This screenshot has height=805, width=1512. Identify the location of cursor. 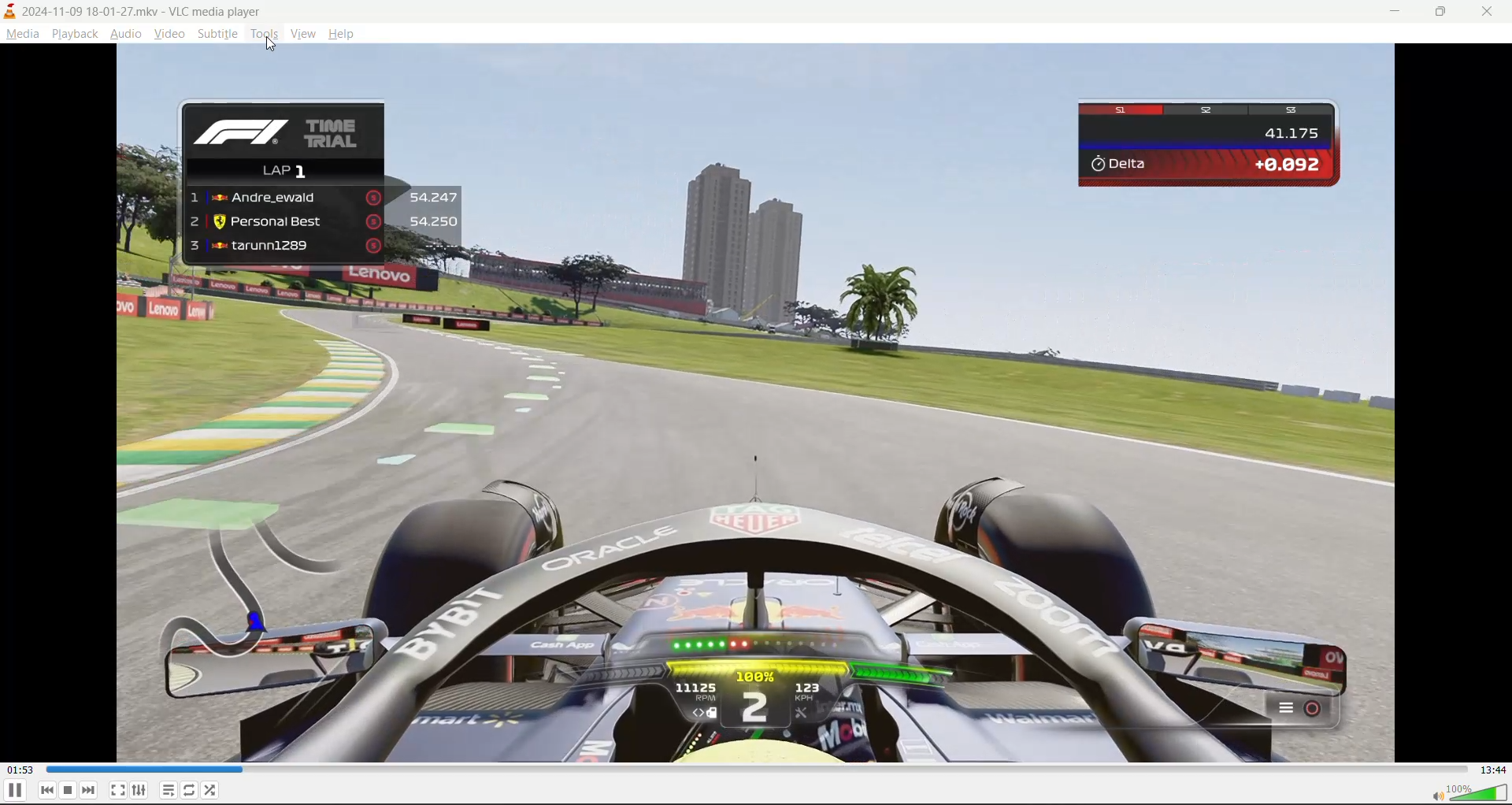
(271, 46).